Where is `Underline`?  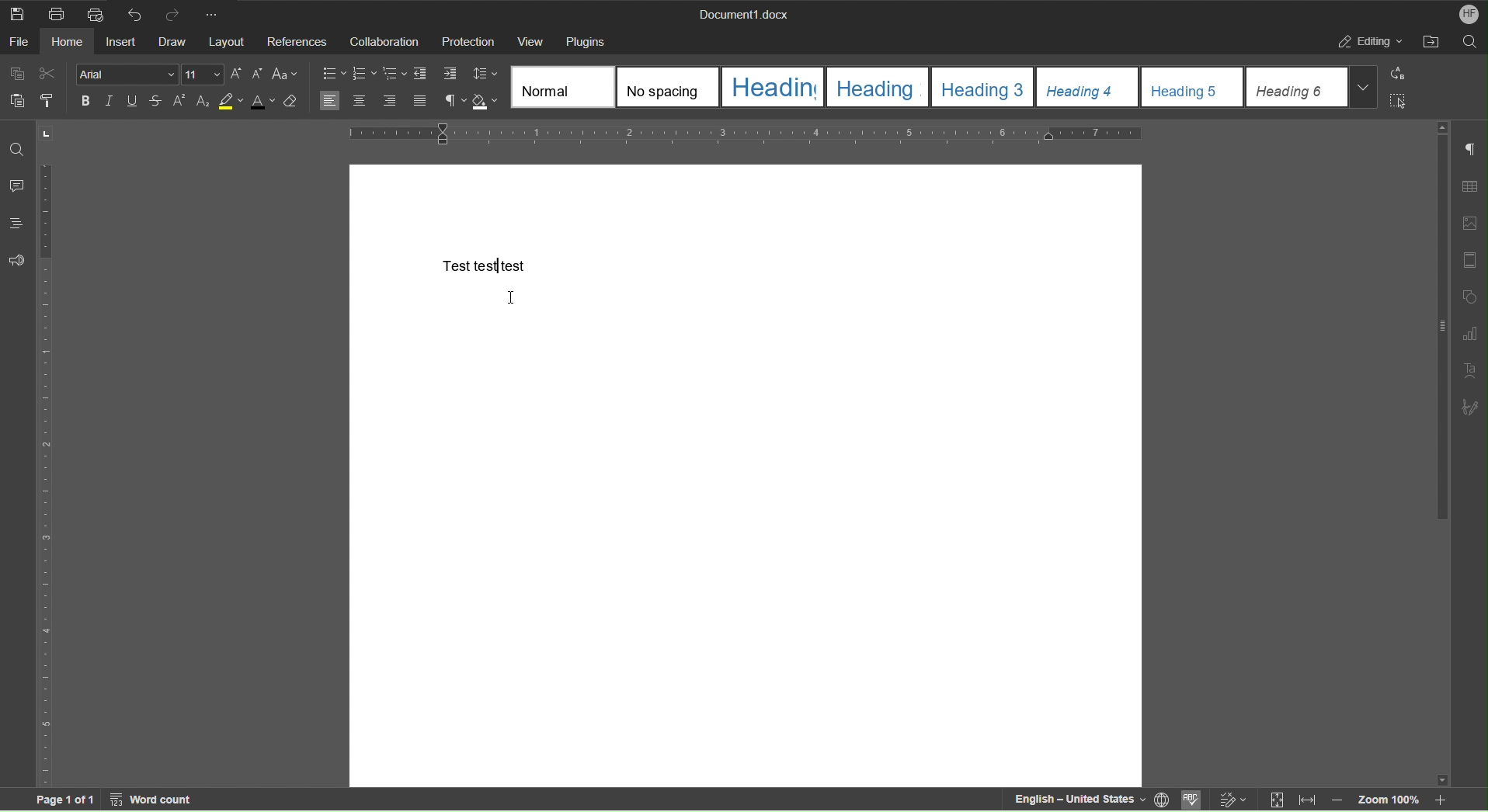
Underline is located at coordinates (135, 102).